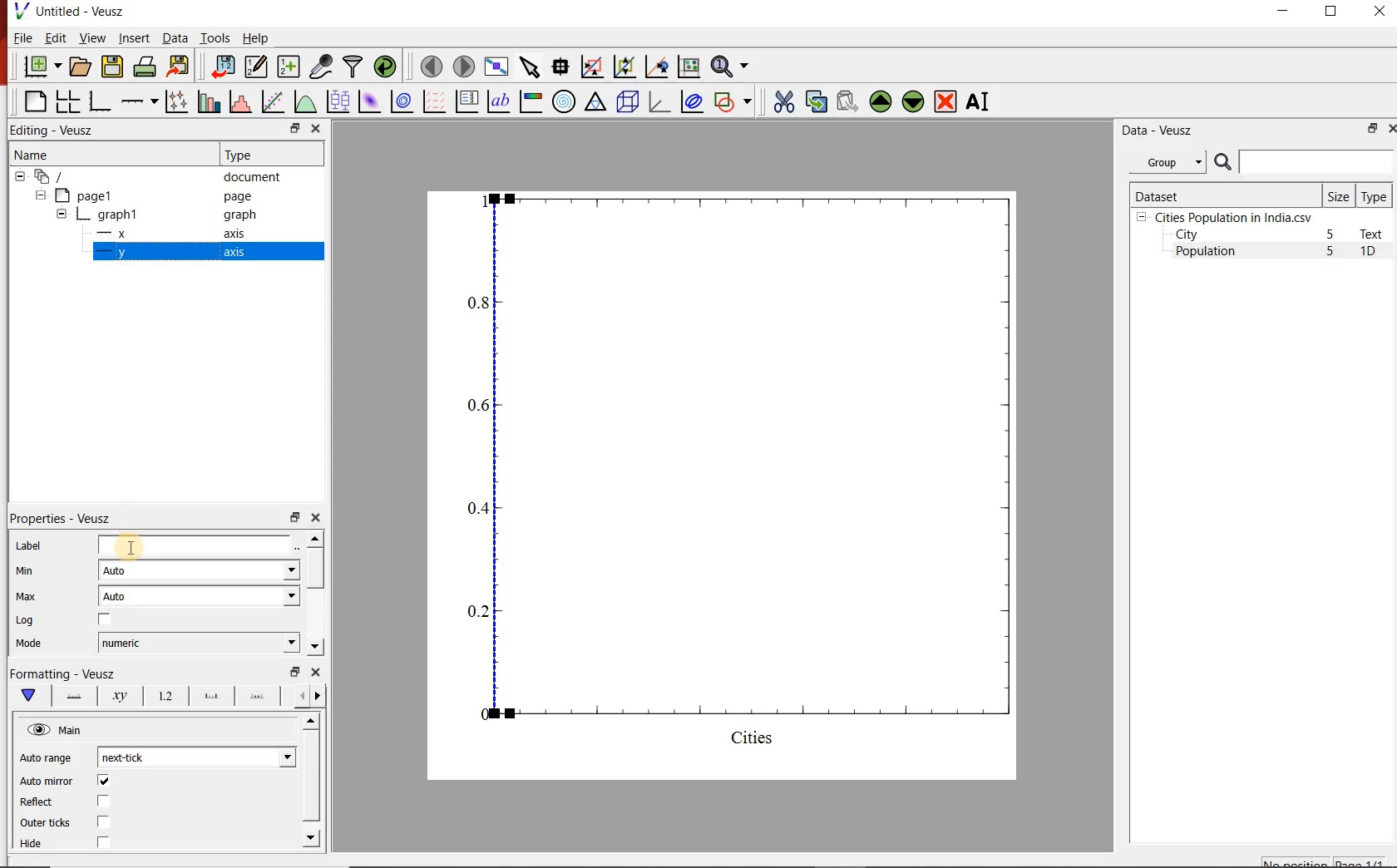 The image size is (1397, 868). What do you see at coordinates (73, 698) in the screenshot?
I see `Axis line` at bounding box center [73, 698].